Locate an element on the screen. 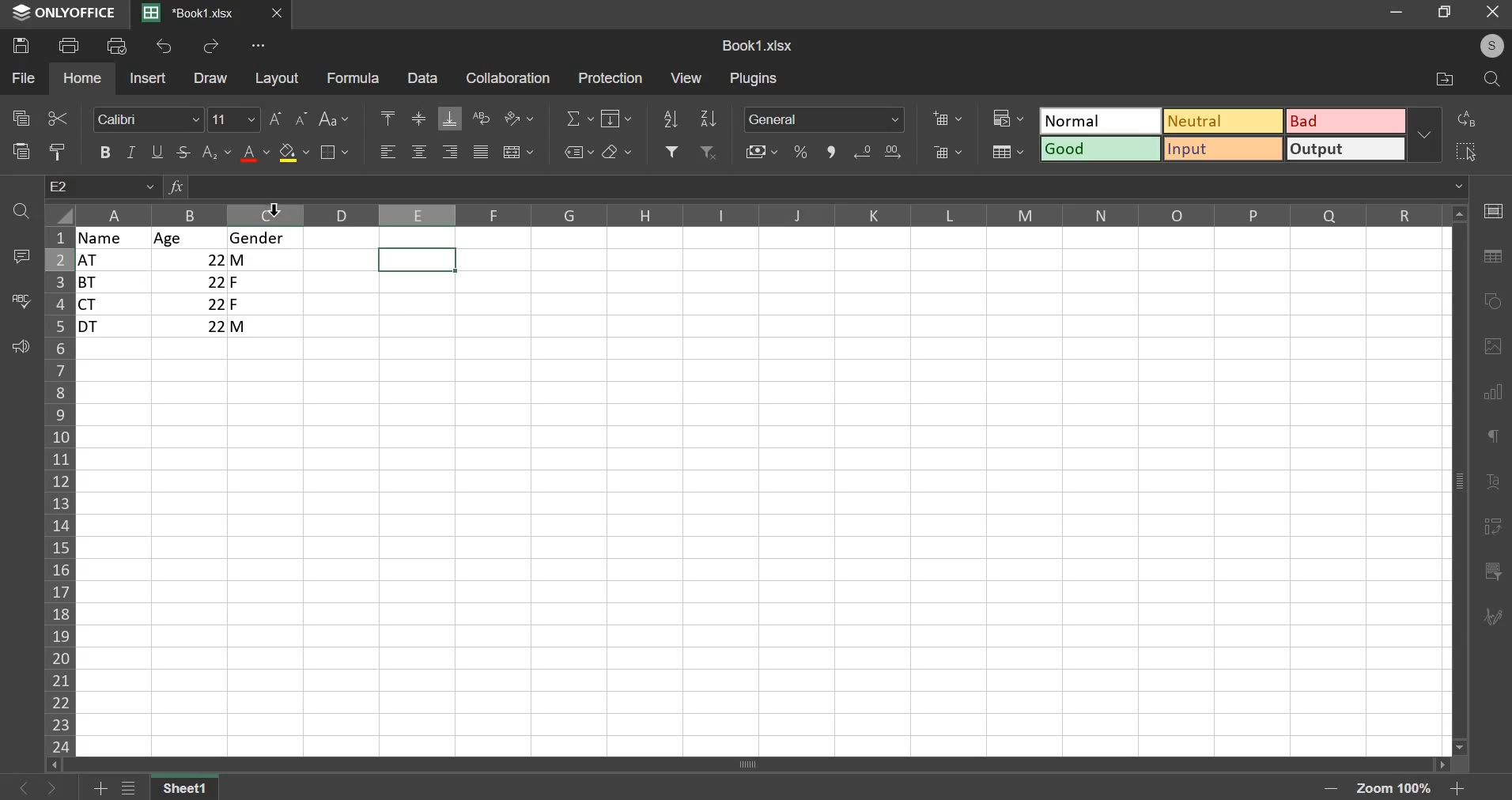 The width and height of the screenshot is (1512, 800). print preview is located at coordinates (117, 44).